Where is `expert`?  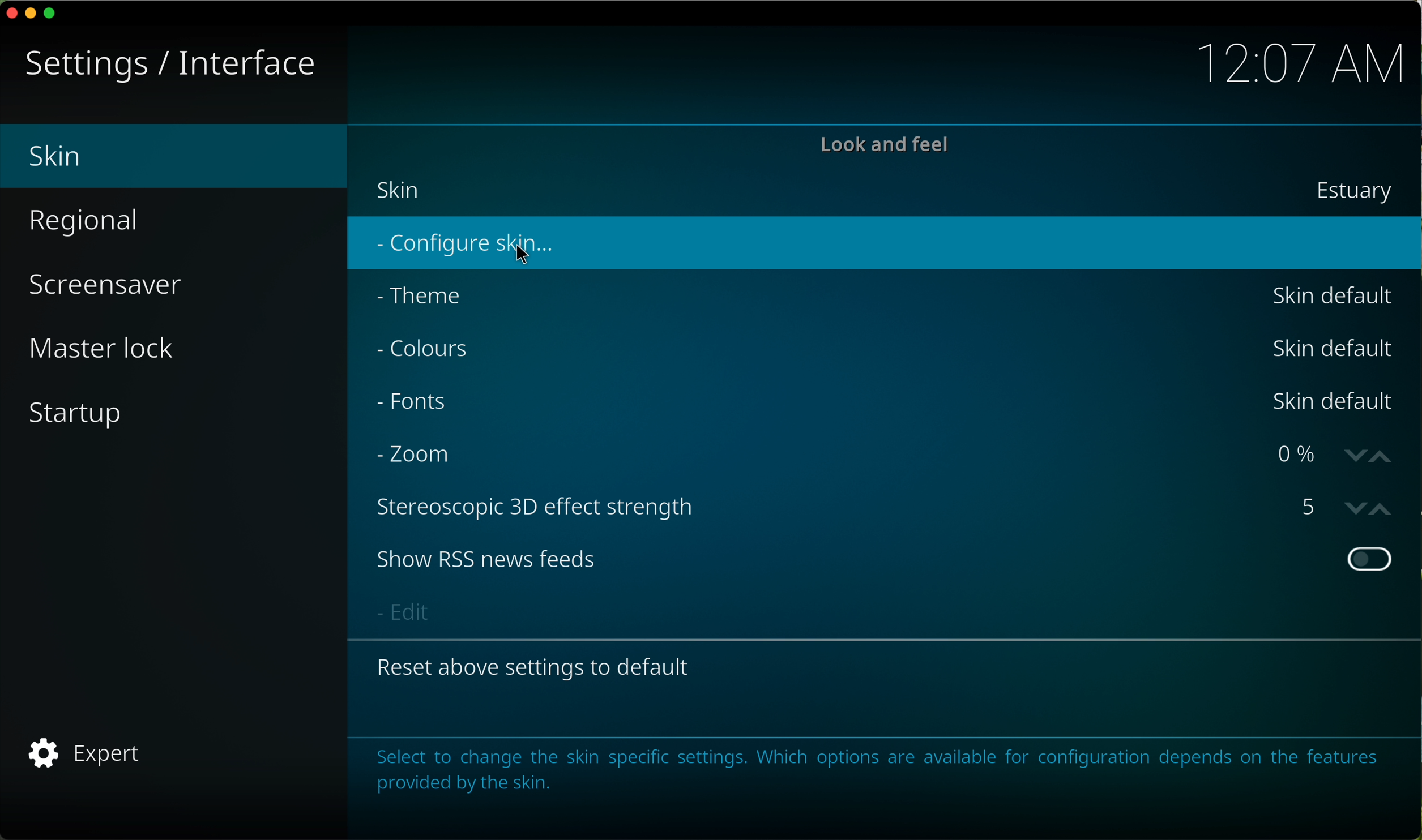
expert is located at coordinates (85, 755).